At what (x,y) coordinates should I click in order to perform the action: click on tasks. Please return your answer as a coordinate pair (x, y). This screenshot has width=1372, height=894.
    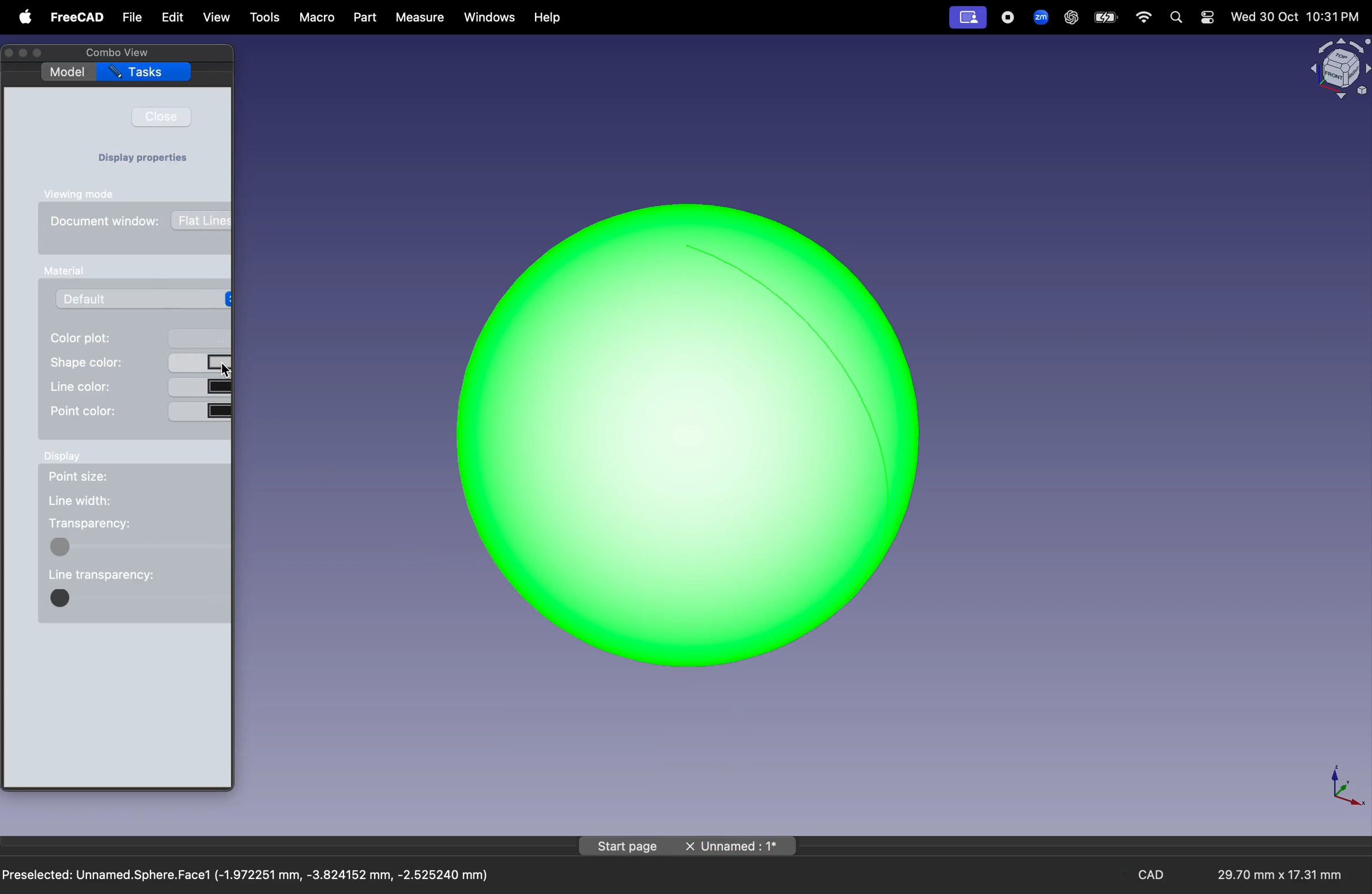
    Looking at the image, I should click on (144, 73).